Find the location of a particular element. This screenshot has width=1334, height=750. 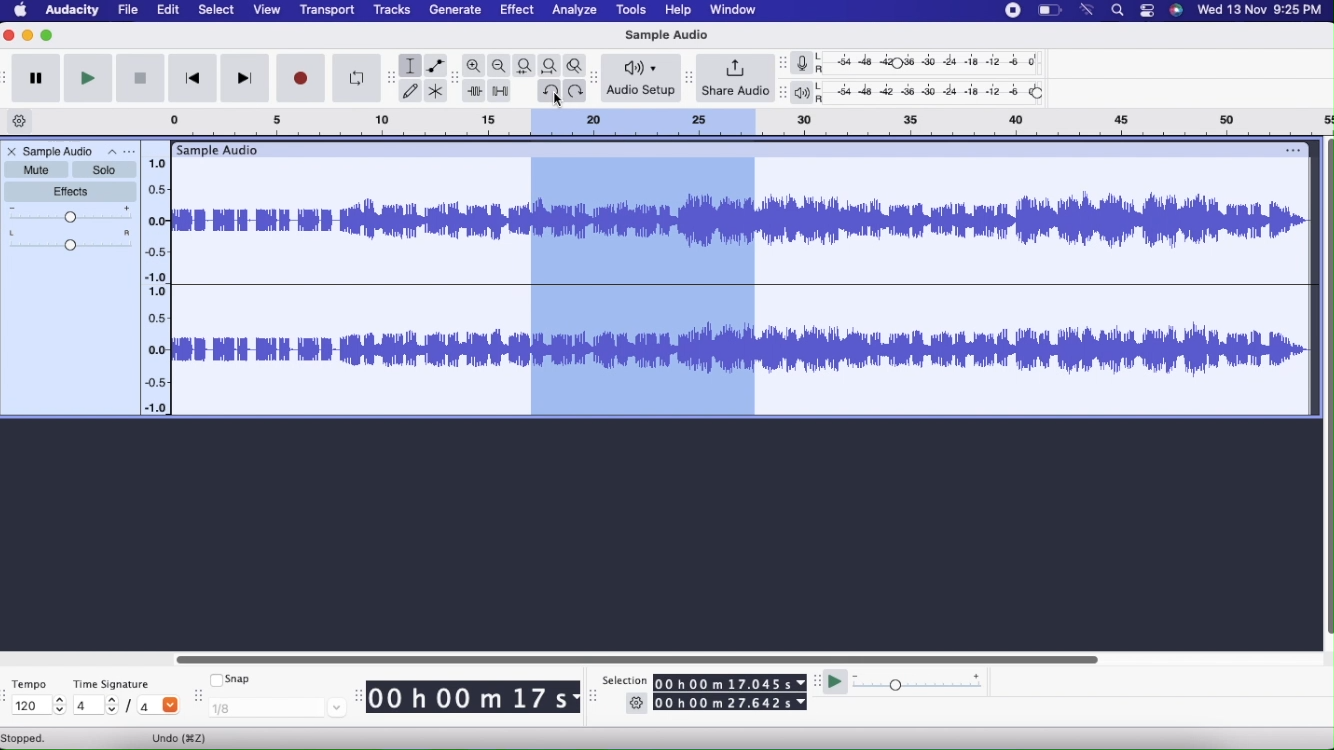

Silence audio selection is located at coordinates (498, 91).